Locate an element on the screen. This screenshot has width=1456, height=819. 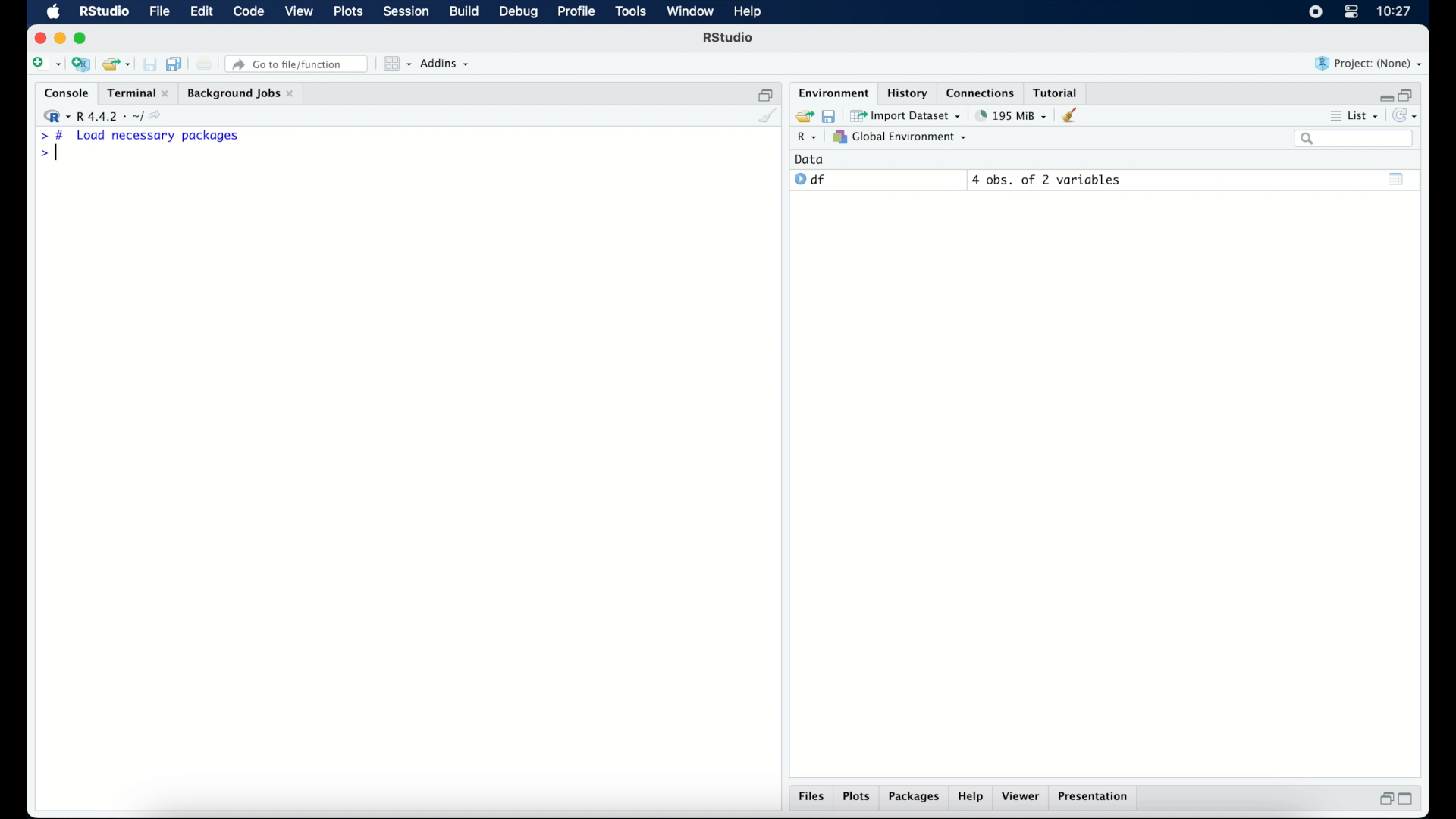
connections is located at coordinates (982, 92).